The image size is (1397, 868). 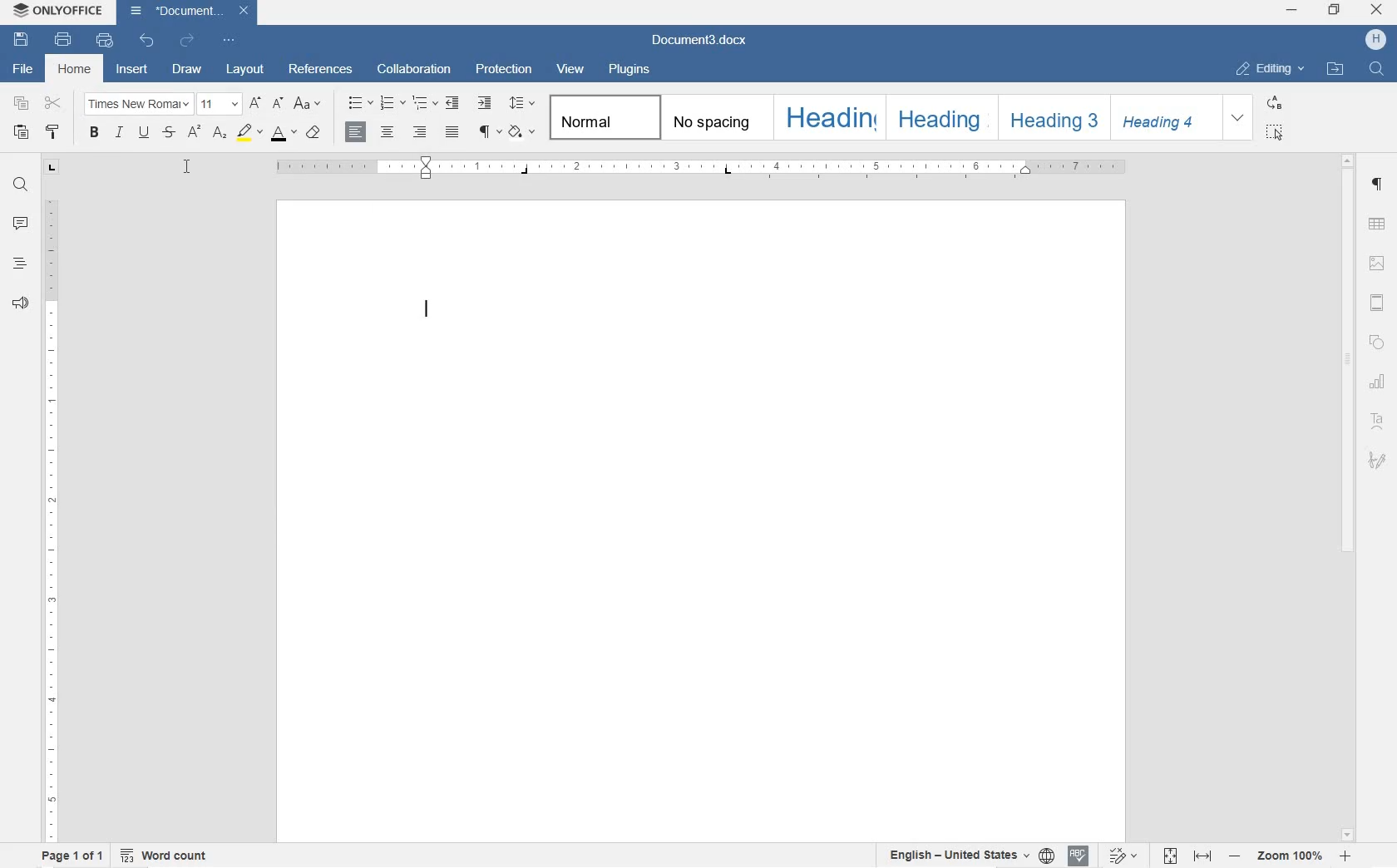 I want to click on COLLABORATION, so click(x=418, y=67).